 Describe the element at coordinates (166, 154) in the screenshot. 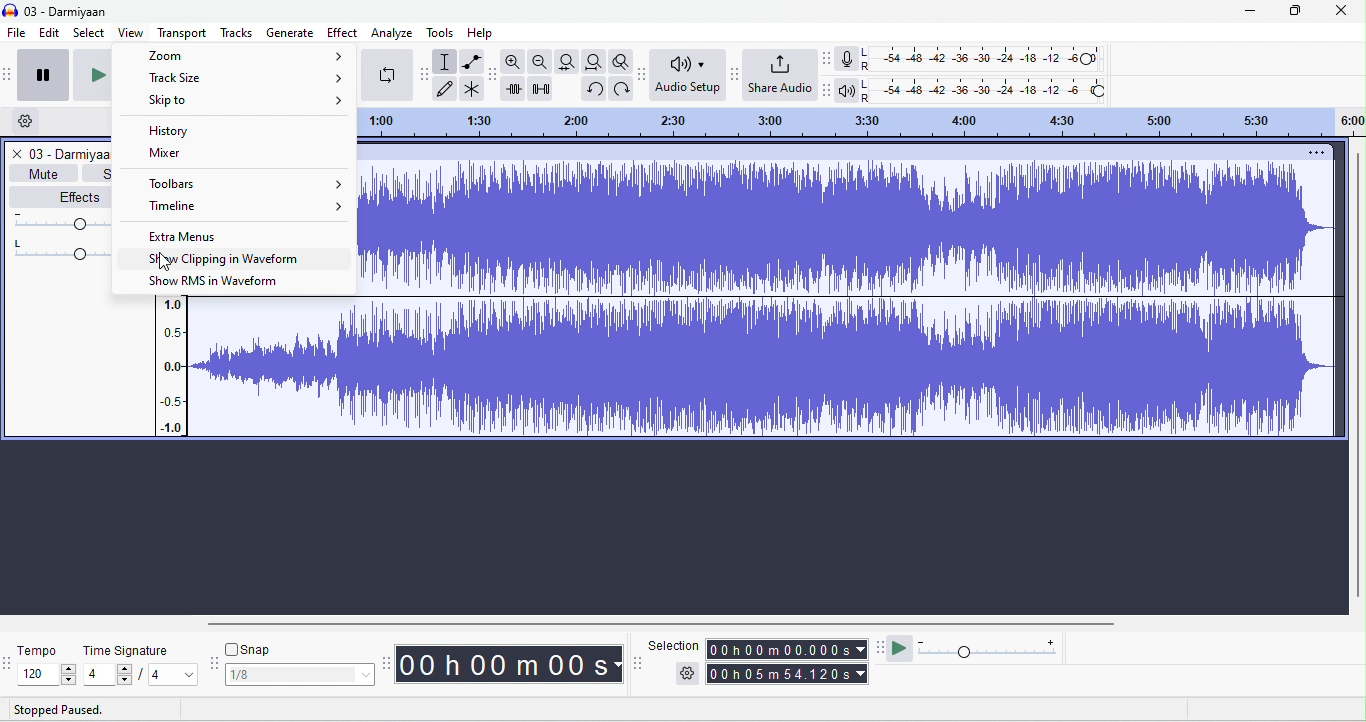

I see `mixer` at that location.